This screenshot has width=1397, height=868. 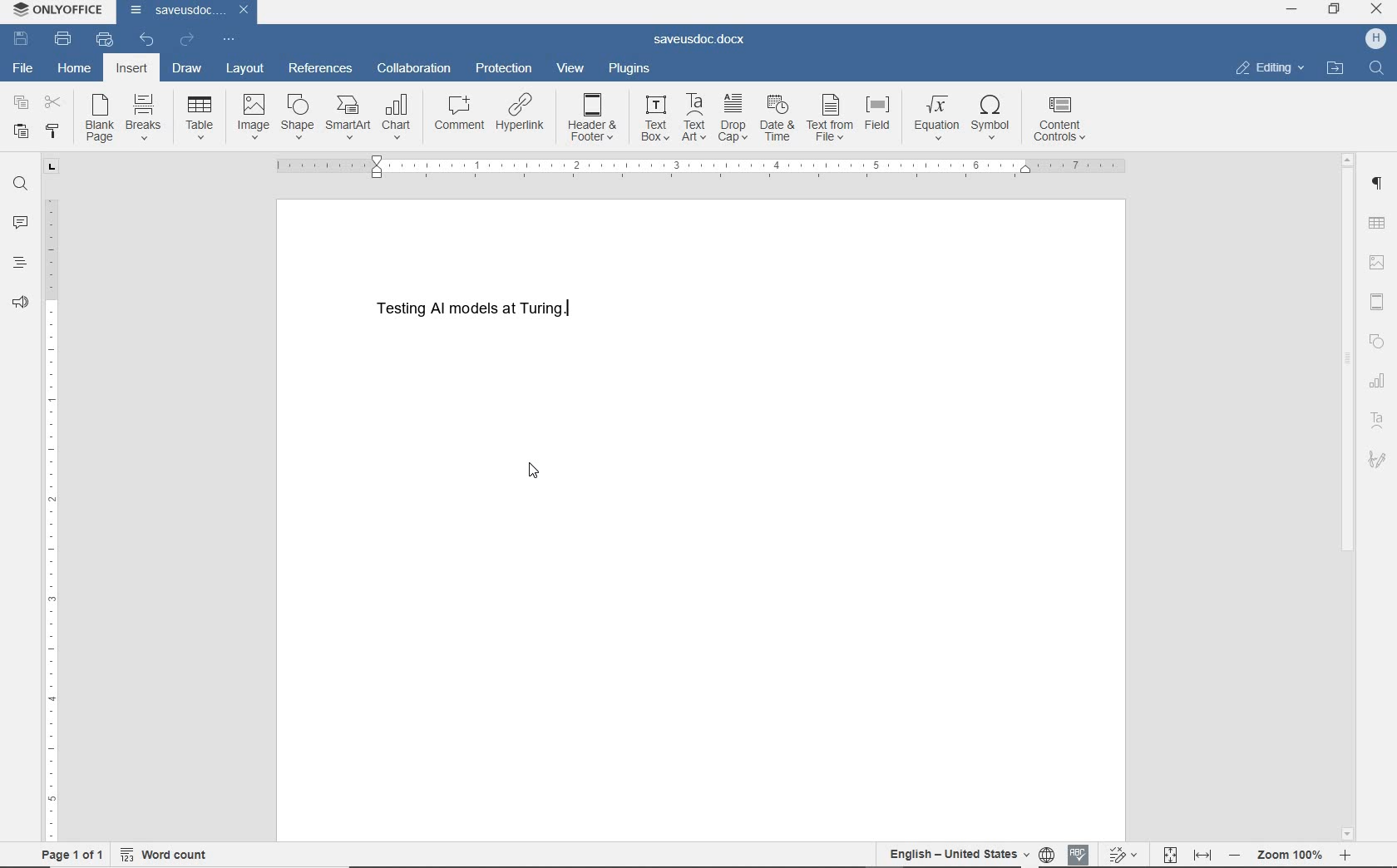 What do you see at coordinates (187, 68) in the screenshot?
I see `draw` at bounding box center [187, 68].